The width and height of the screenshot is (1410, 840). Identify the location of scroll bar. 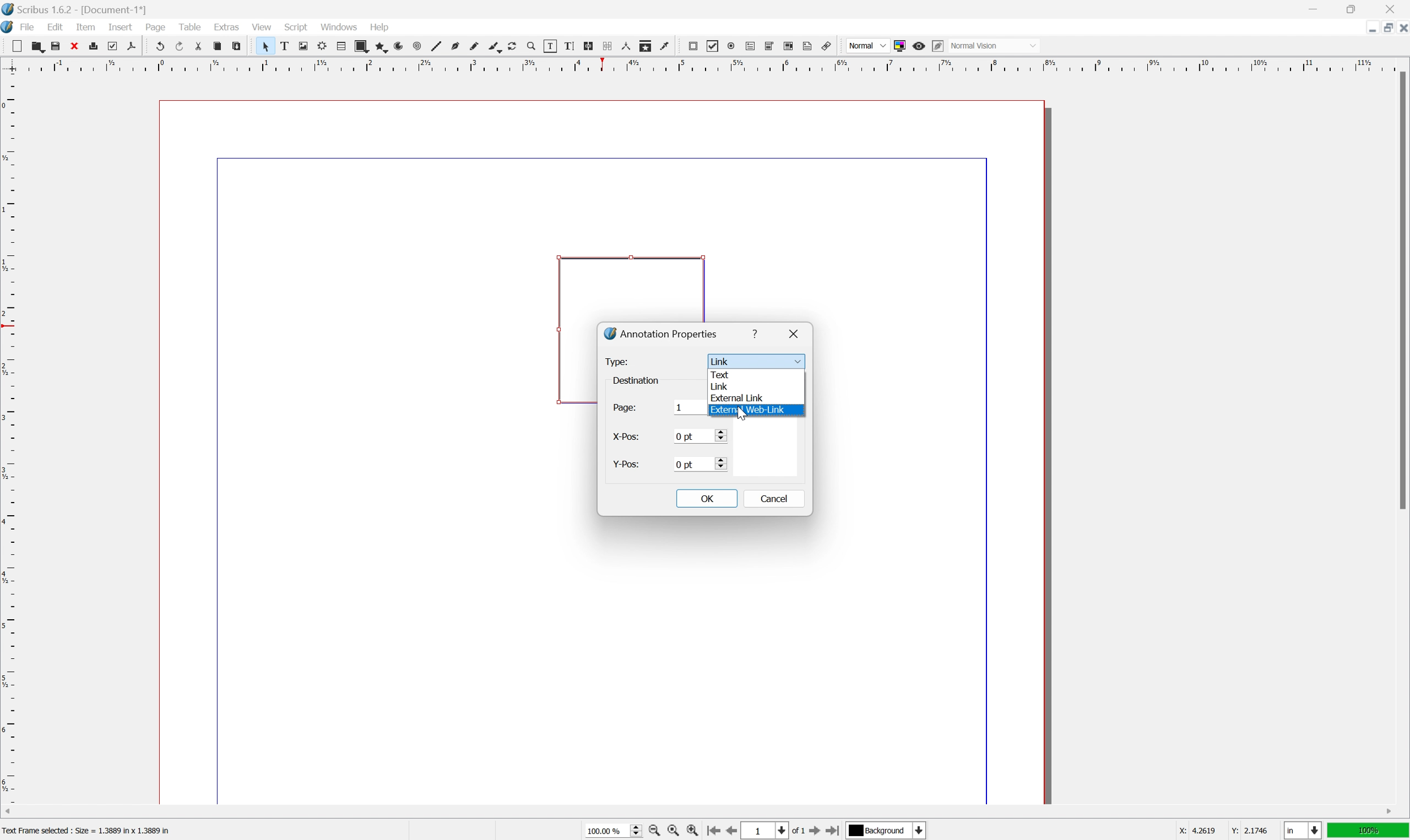
(1401, 290).